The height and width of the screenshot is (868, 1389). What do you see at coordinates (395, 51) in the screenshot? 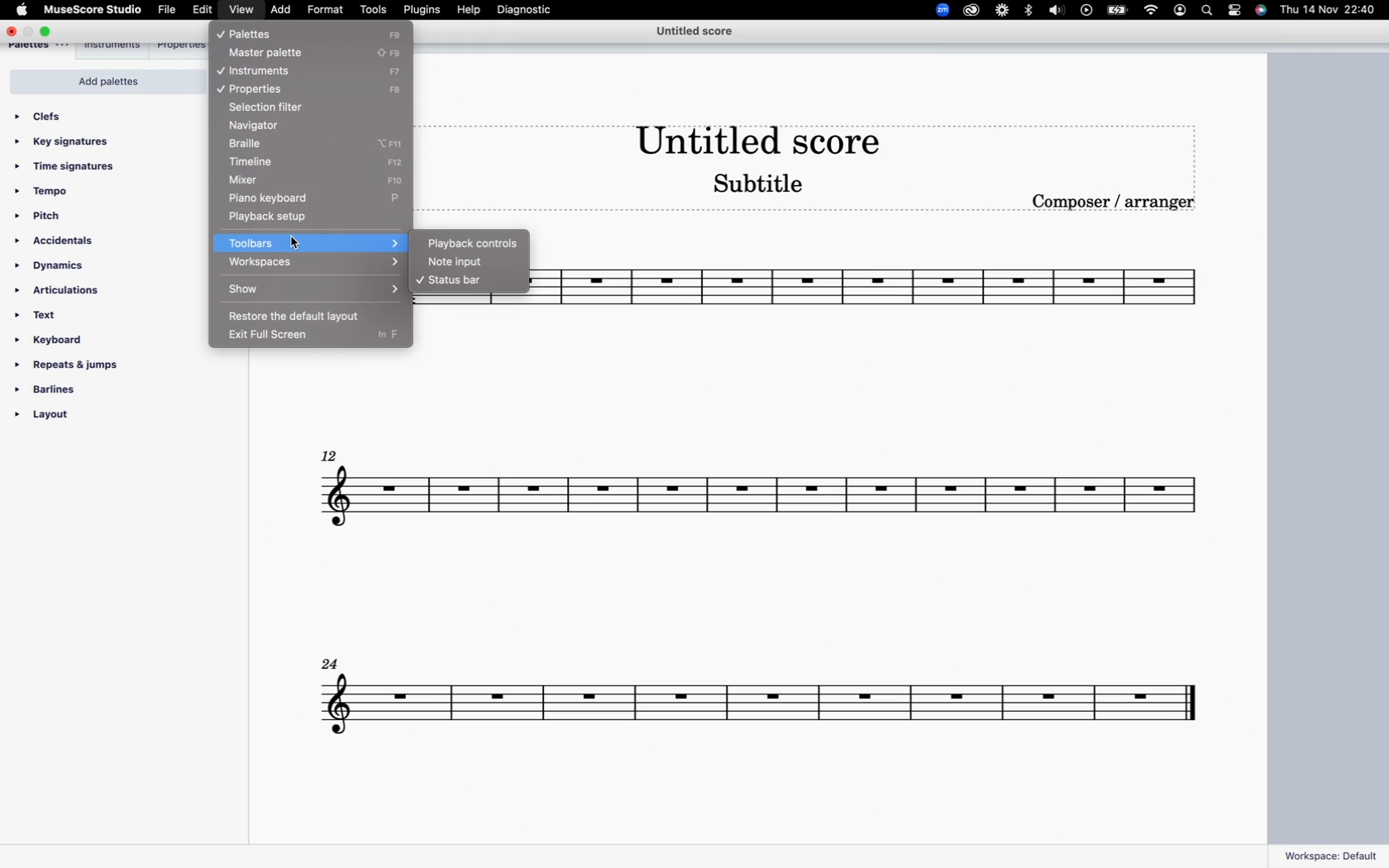
I see `caps lock+ F9` at bounding box center [395, 51].